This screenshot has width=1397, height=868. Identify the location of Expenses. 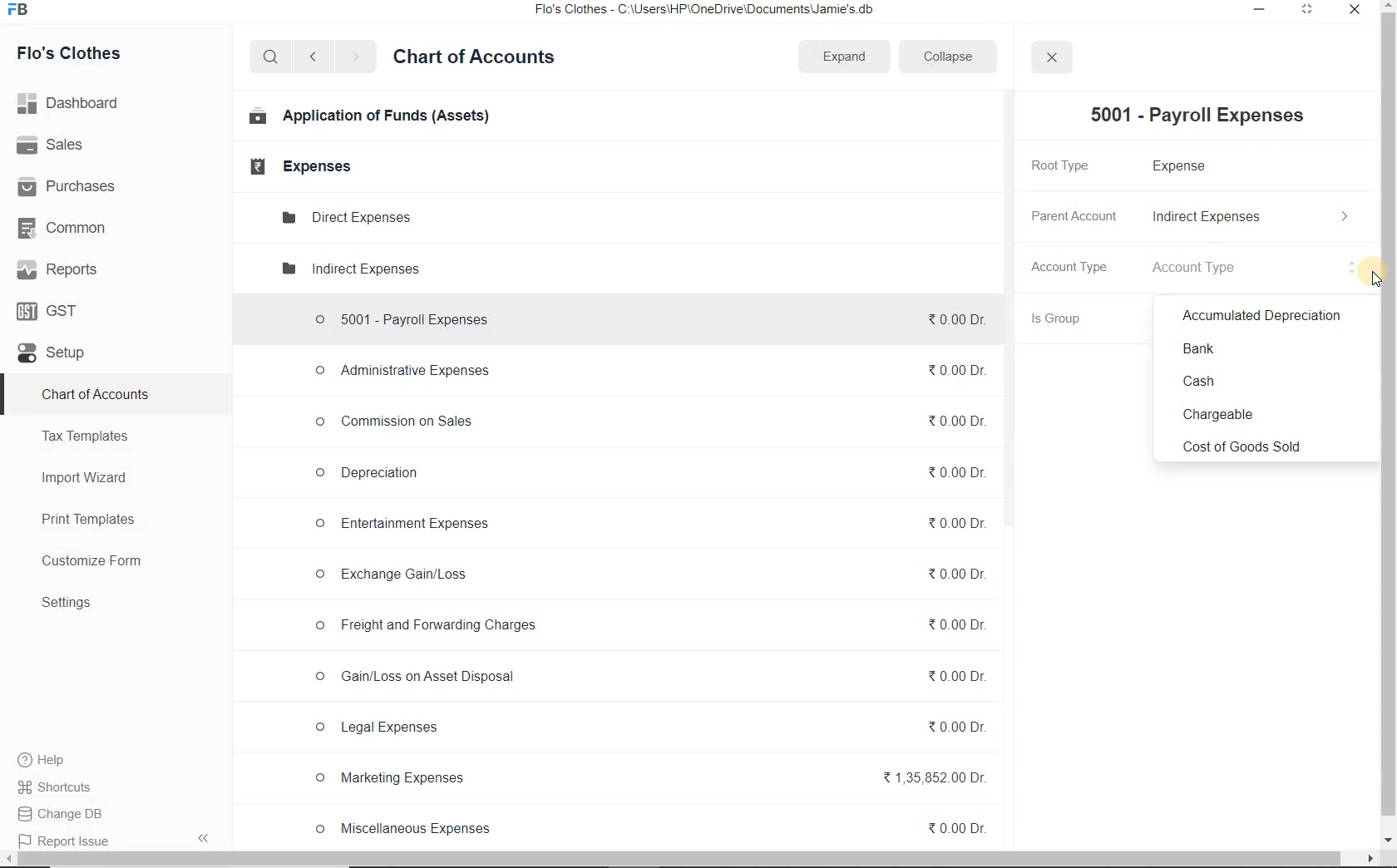
(295, 166).